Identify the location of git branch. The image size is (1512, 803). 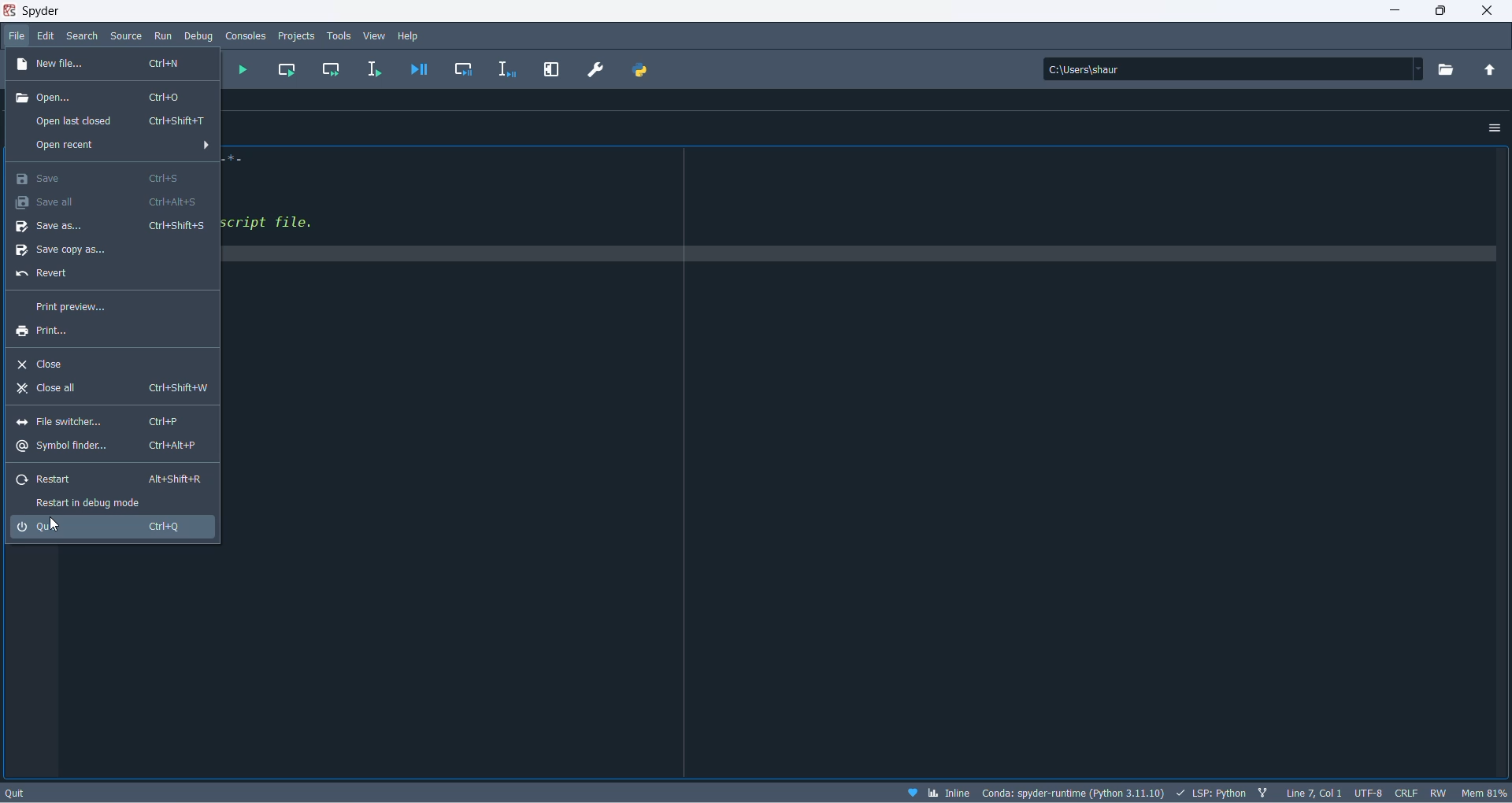
(1266, 790).